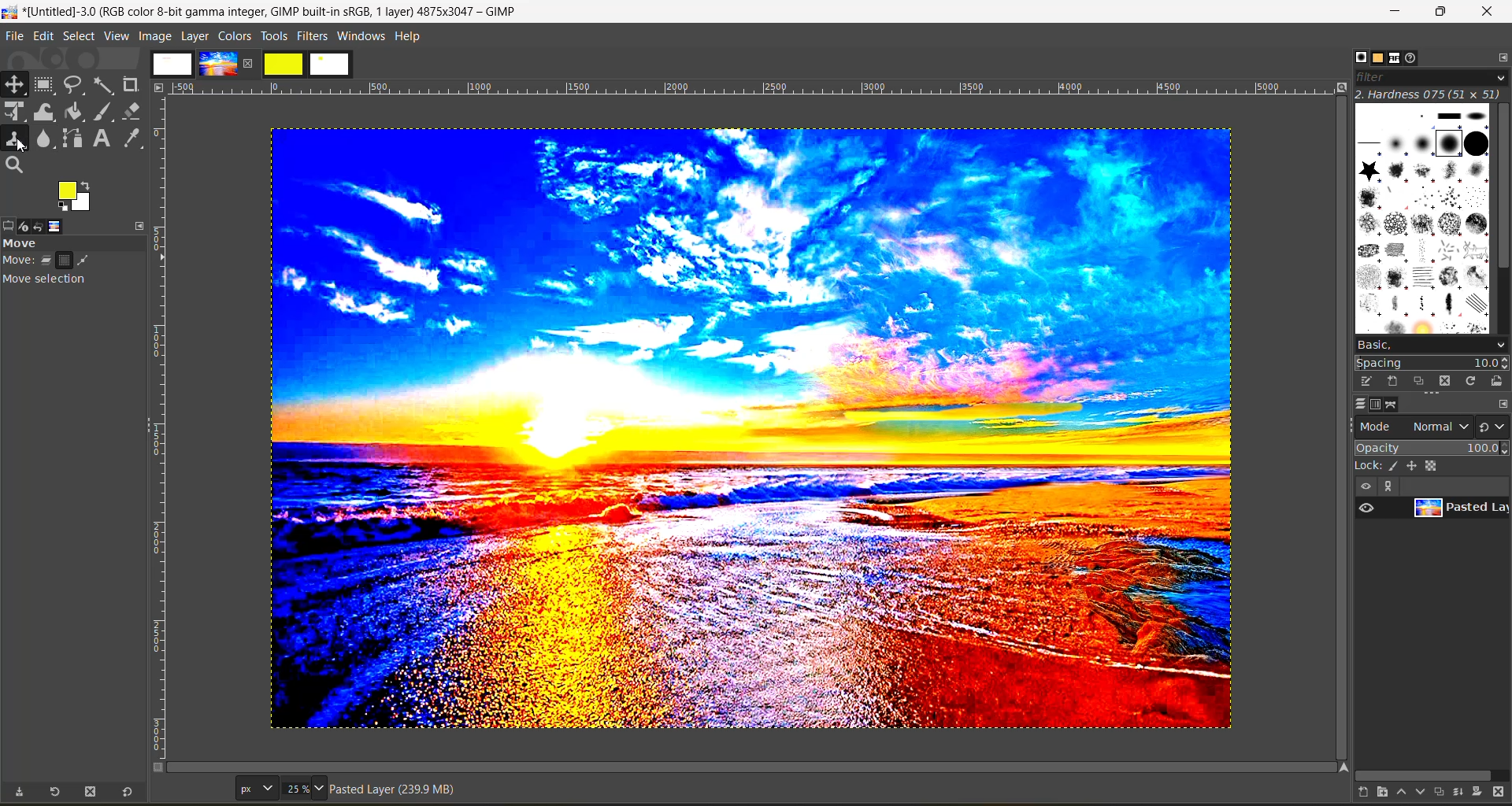 This screenshot has height=806, width=1512. I want to click on ink tool, so click(106, 112).